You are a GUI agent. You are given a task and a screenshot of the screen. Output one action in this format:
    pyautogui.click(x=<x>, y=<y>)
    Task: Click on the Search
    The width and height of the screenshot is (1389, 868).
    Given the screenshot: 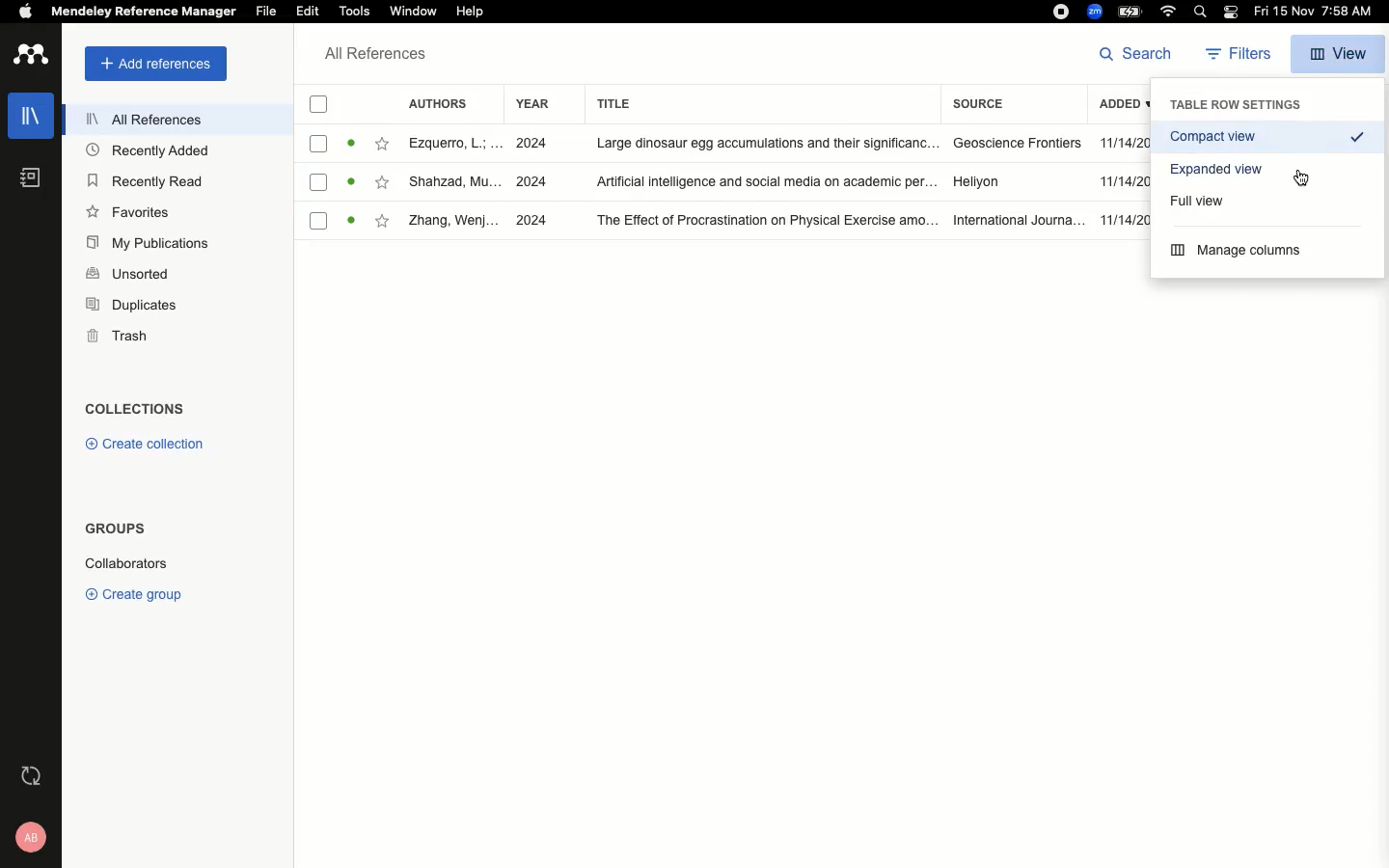 What is the action you would take?
    pyautogui.click(x=1197, y=12)
    